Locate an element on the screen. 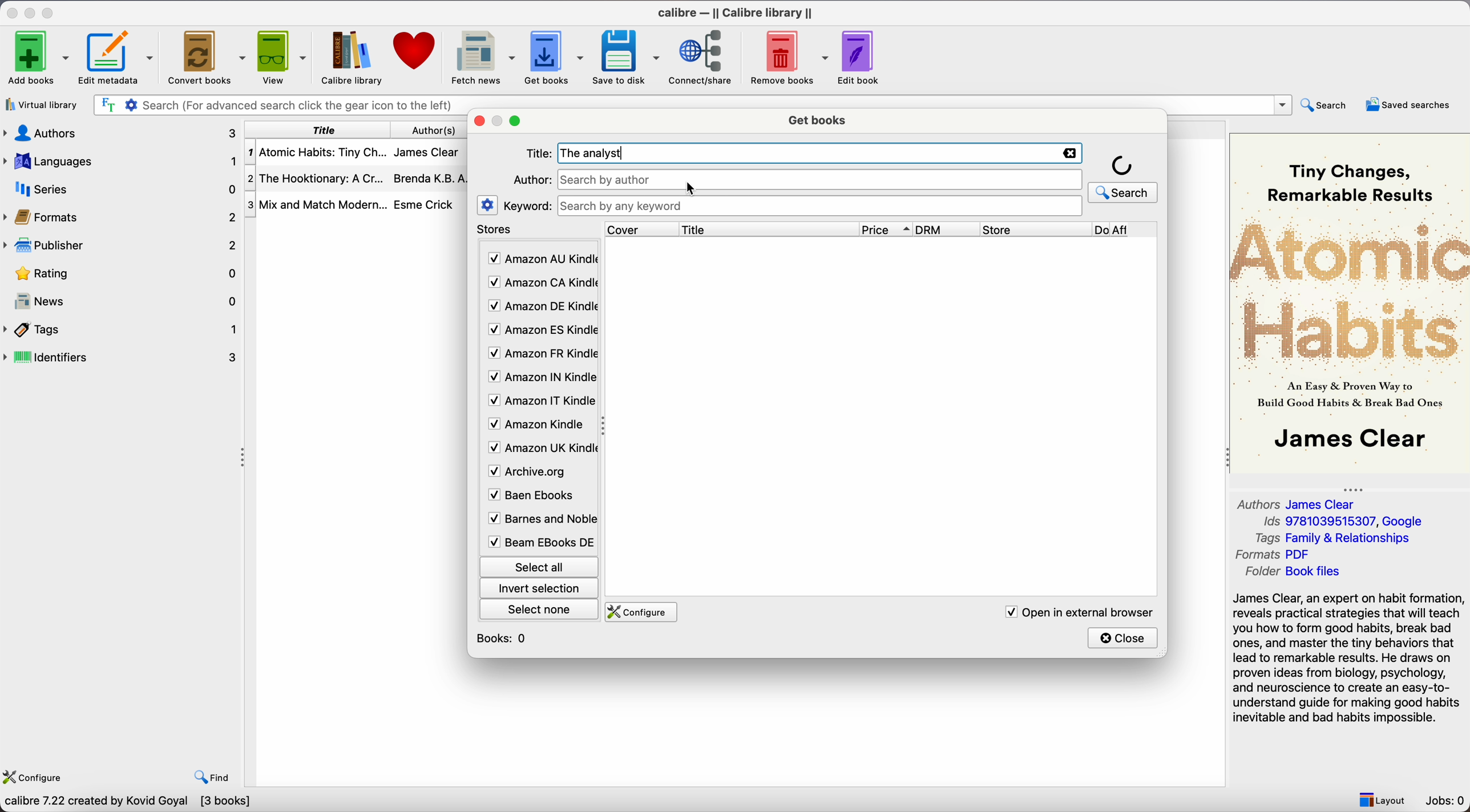 This screenshot has height=812, width=1470. Amazon UK Kindle is located at coordinates (539, 450).